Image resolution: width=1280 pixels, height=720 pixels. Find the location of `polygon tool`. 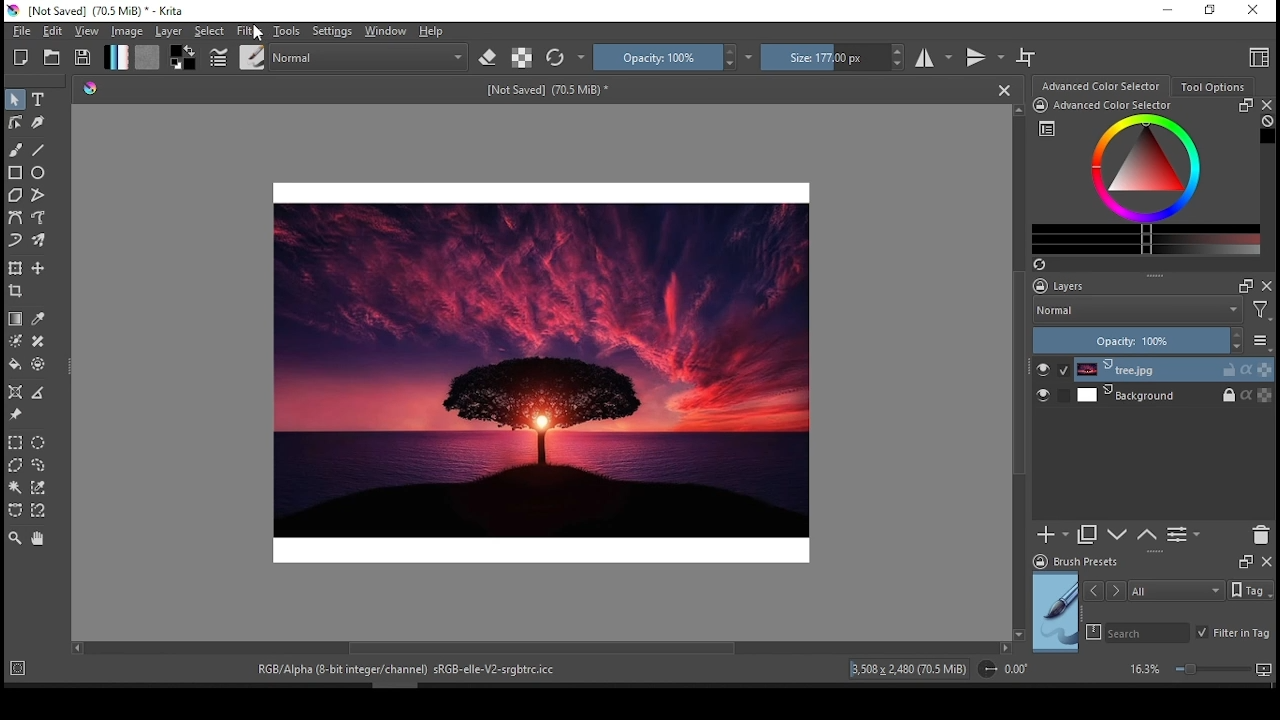

polygon tool is located at coordinates (16, 195).